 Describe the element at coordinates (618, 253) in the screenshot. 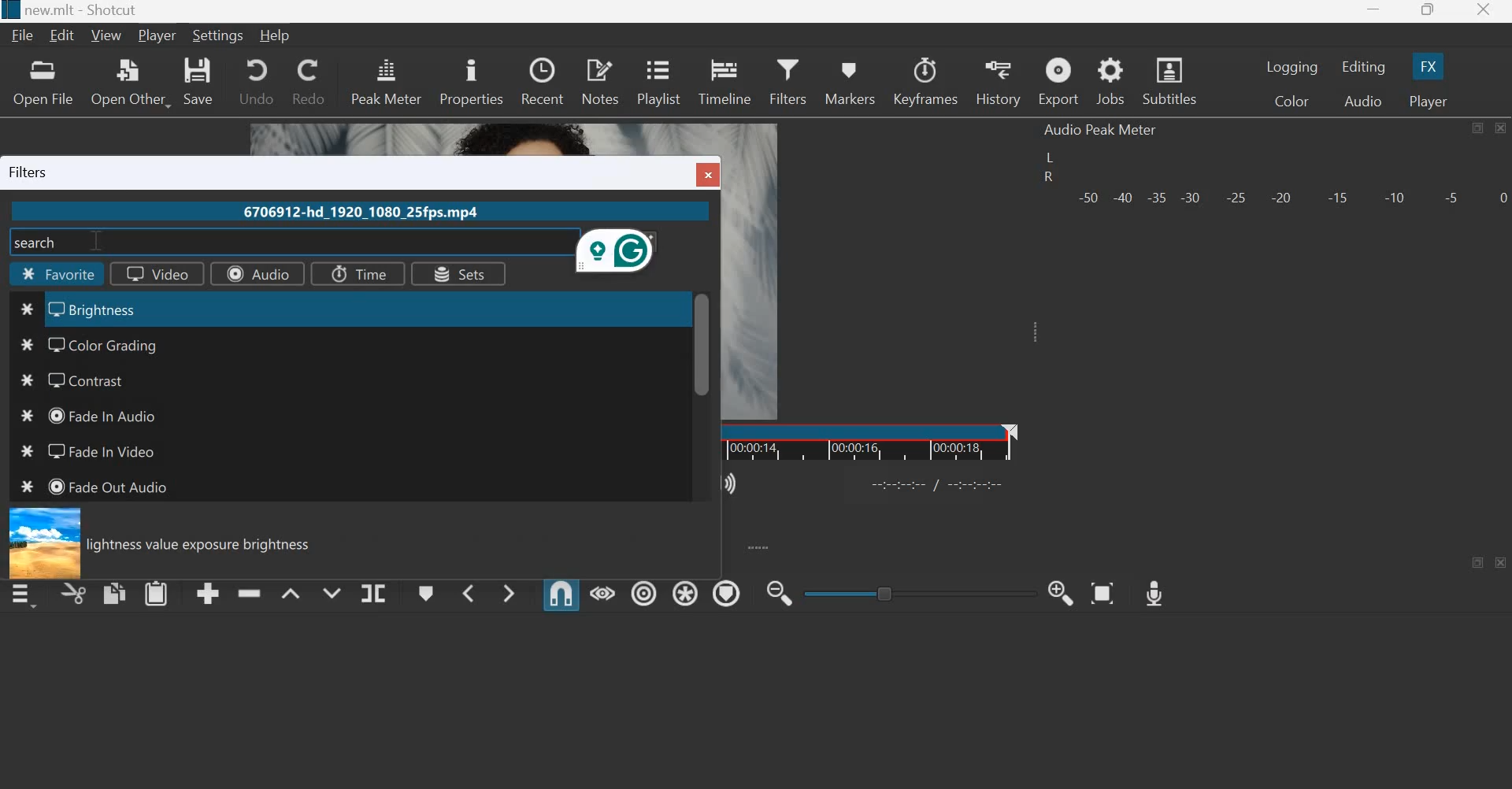

I see `Grammarly` at that location.